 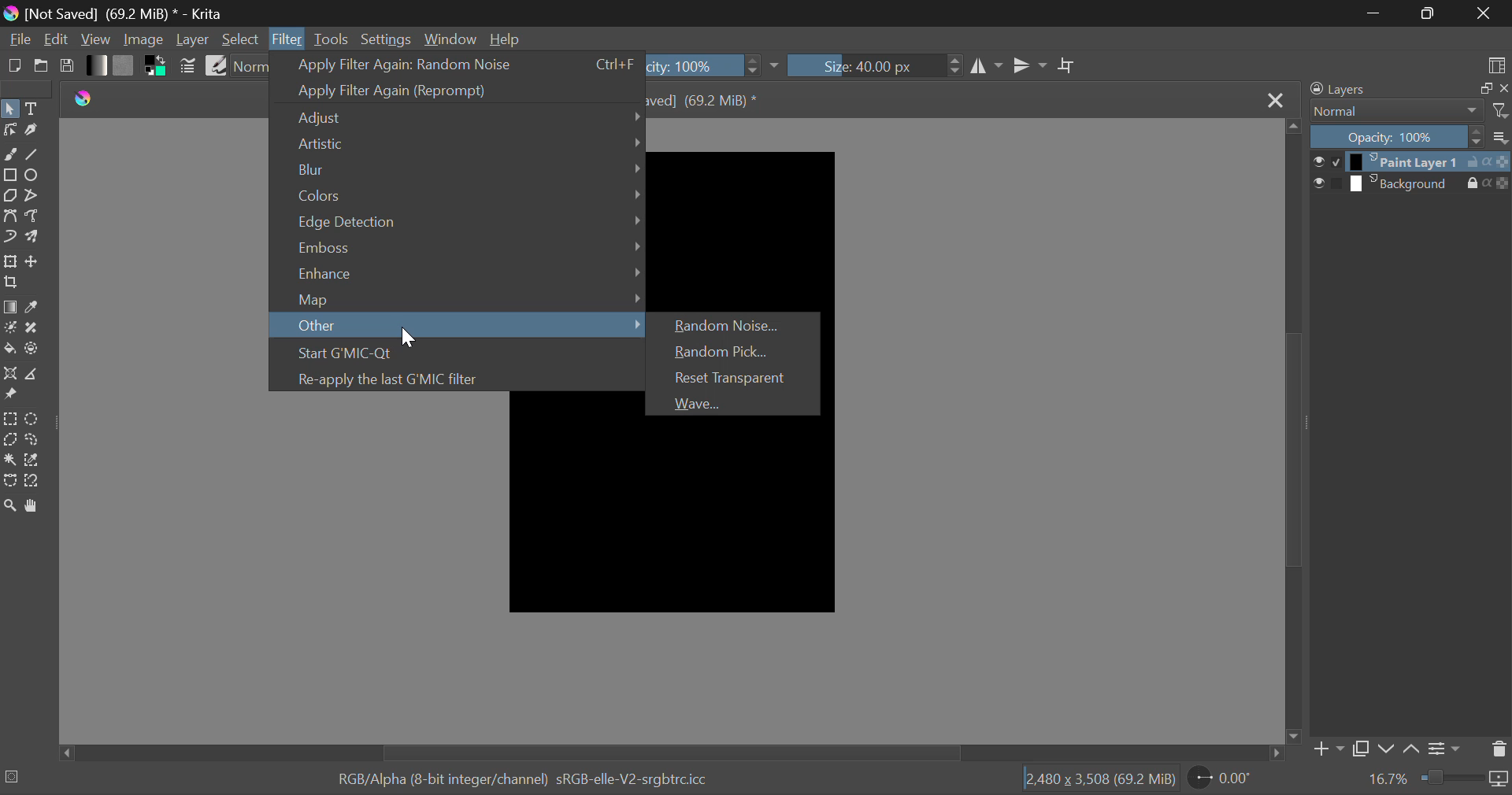 I want to click on select, so click(x=1316, y=160).